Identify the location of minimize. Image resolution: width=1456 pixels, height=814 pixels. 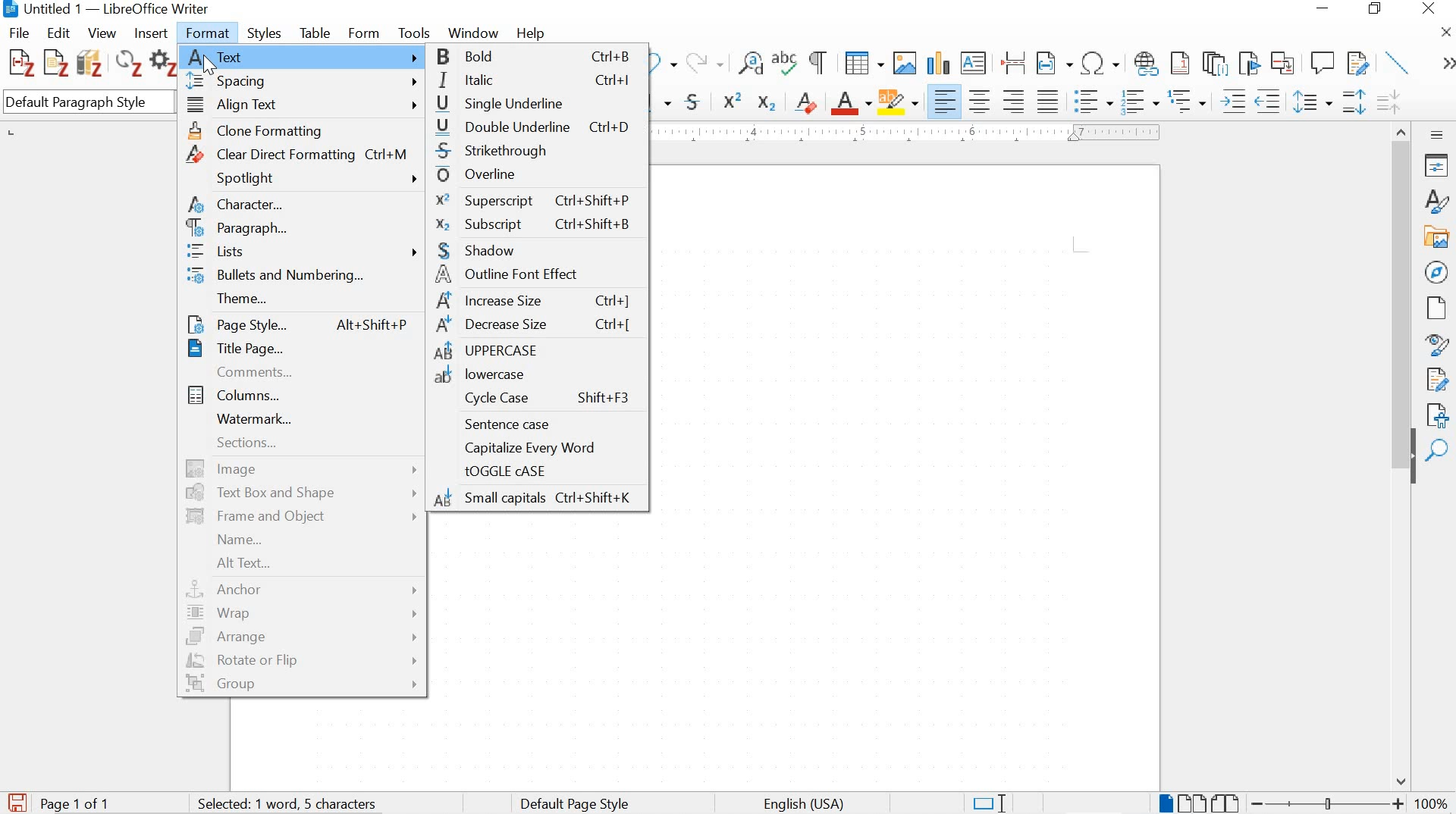
(1321, 8).